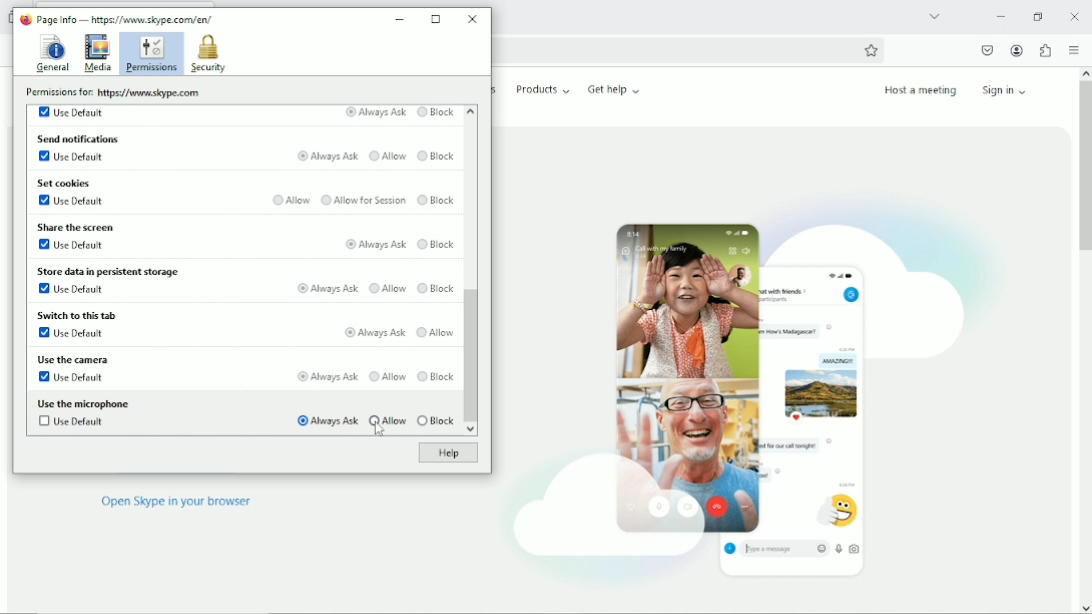  Describe the element at coordinates (1008, 89) in the screenshot. I see `Sign in` at that location.